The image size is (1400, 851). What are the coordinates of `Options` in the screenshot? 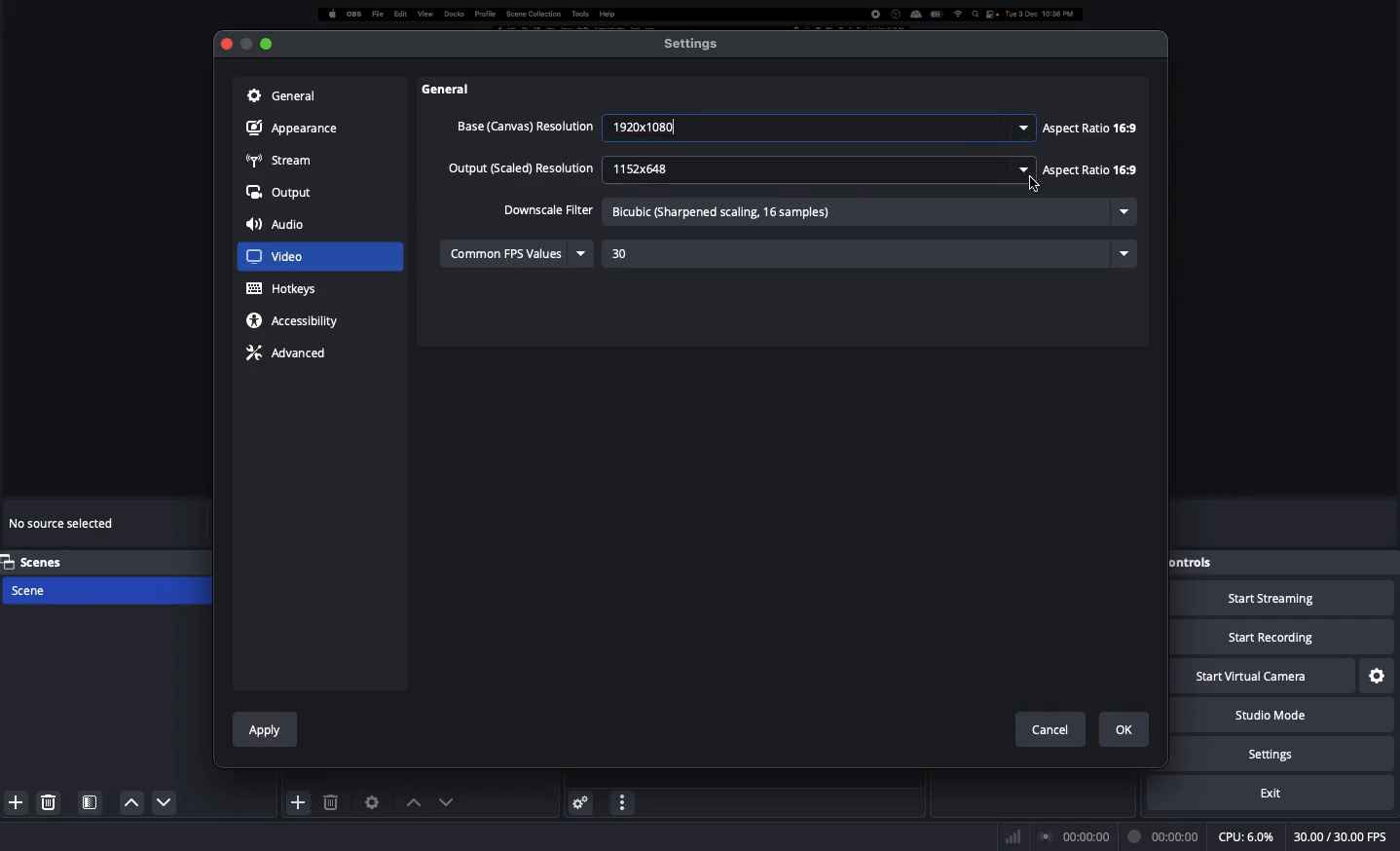 It's located at (623, 800).